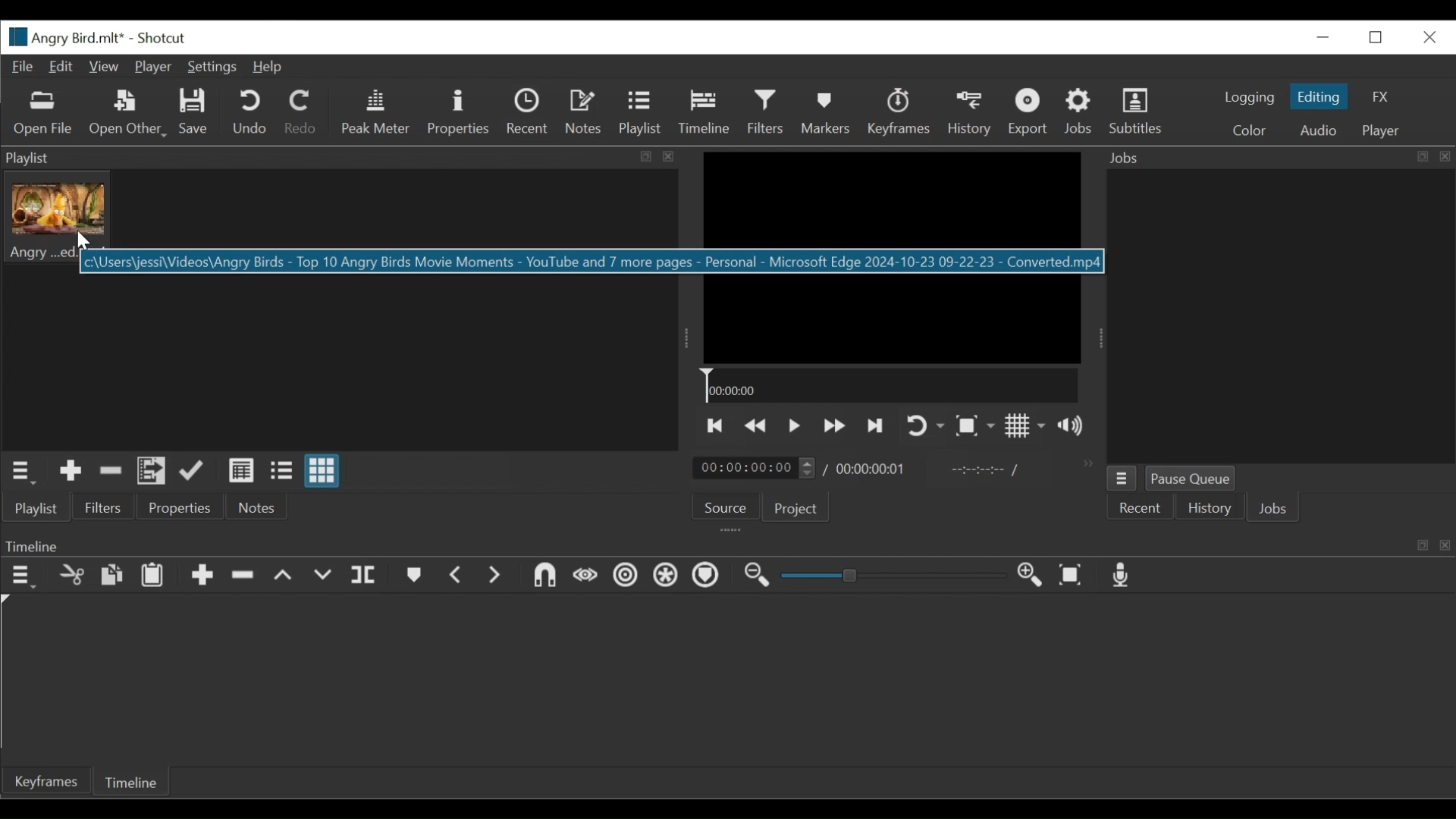 The height and width of the screenshot is (819, 1456). I want to click on Filters, so click(104, 507).